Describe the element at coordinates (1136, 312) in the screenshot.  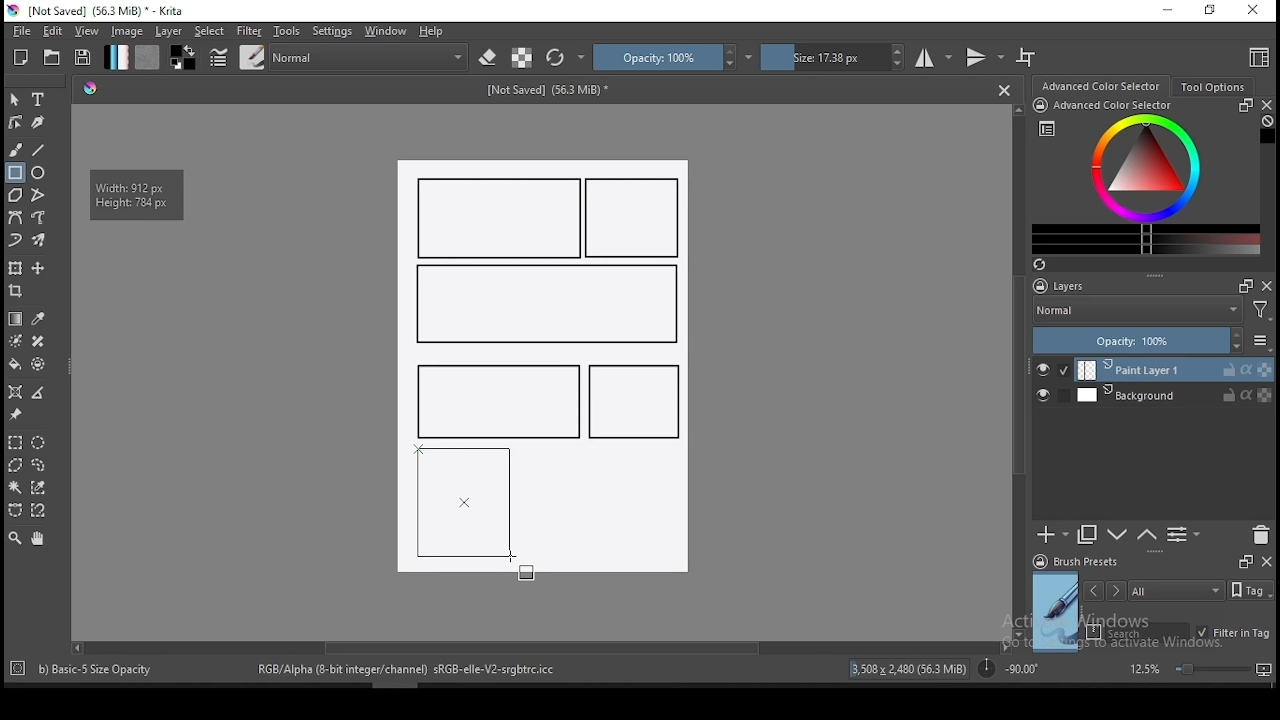
I see `blending mode` at that location.